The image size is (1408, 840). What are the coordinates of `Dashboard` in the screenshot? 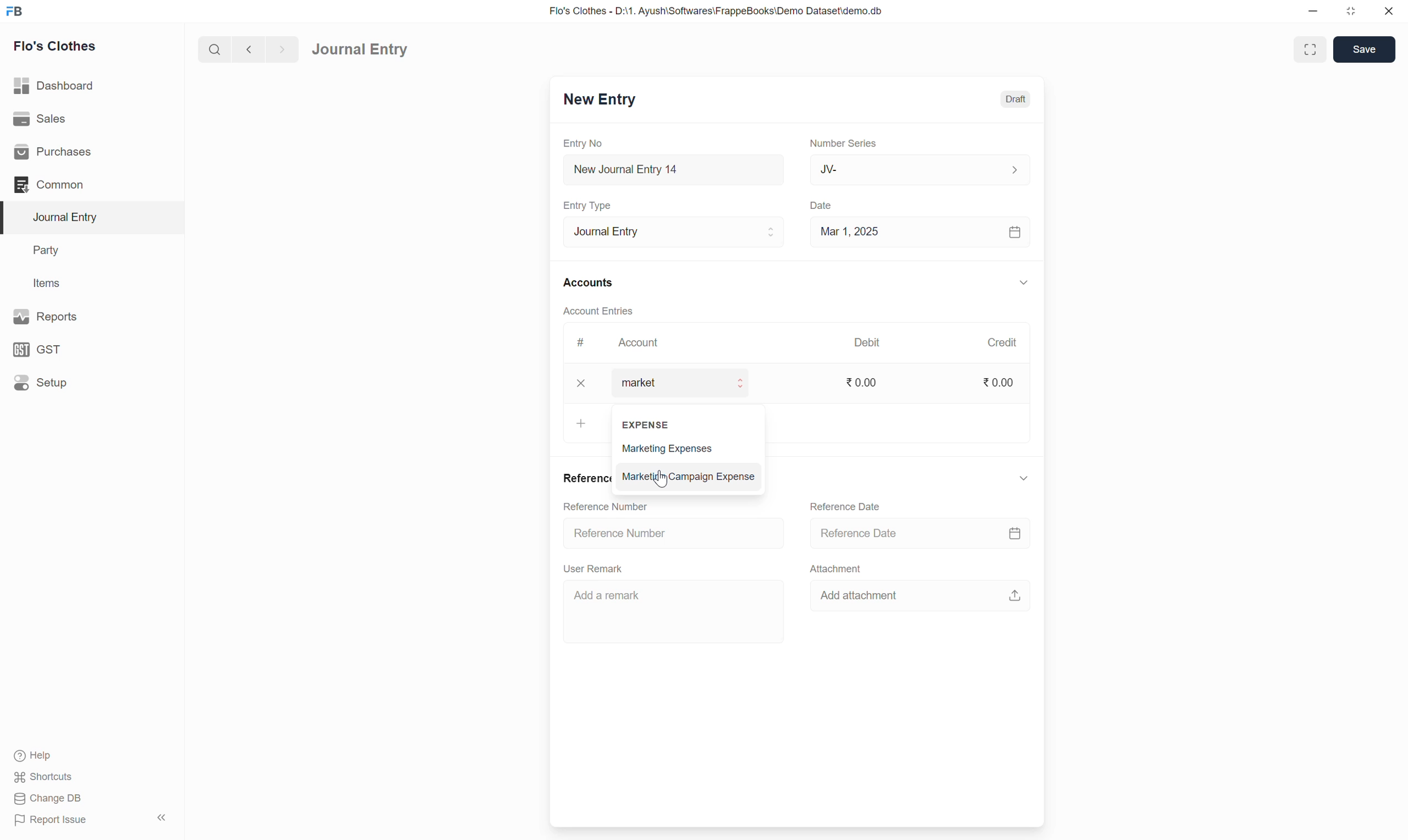 It's located at (55, 85).